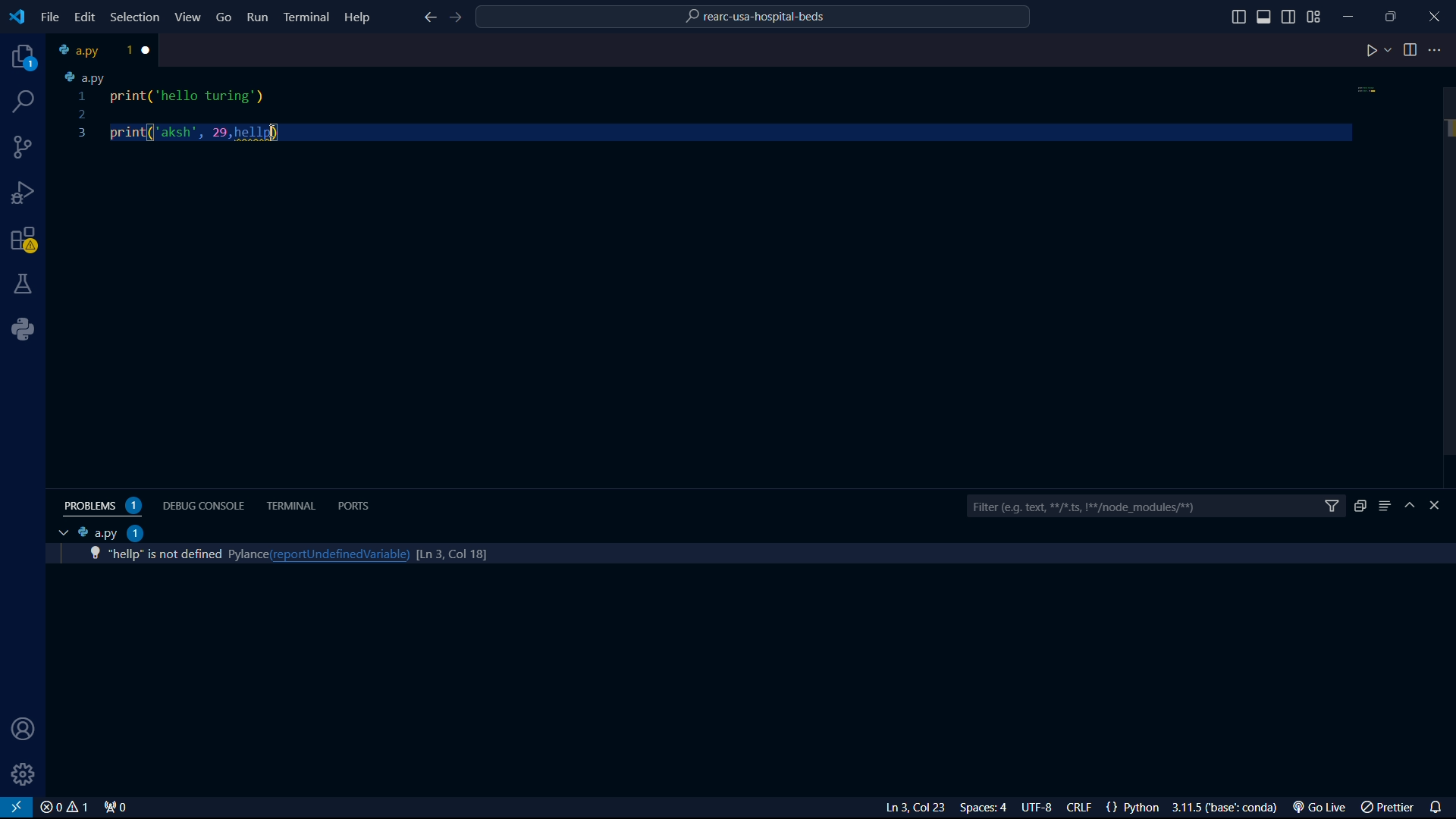  Describe the element at coordinates (755, 19) in the screenshot. I see `rearc-usa-hospital-beds` at that location.